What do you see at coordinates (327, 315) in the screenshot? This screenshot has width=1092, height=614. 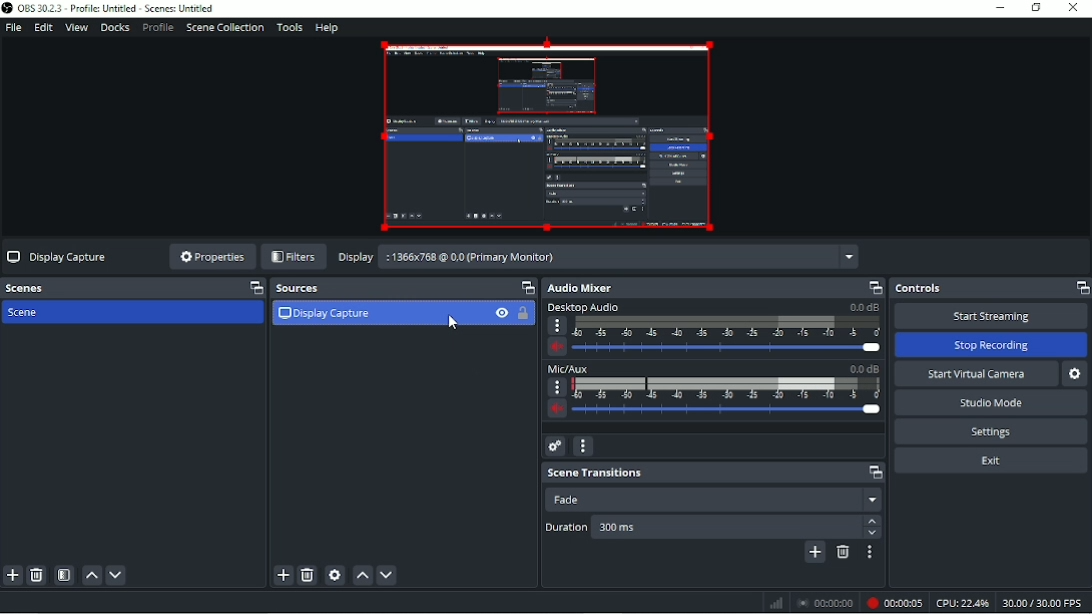 I see `Display Capture` at bounding box center [327, 315].